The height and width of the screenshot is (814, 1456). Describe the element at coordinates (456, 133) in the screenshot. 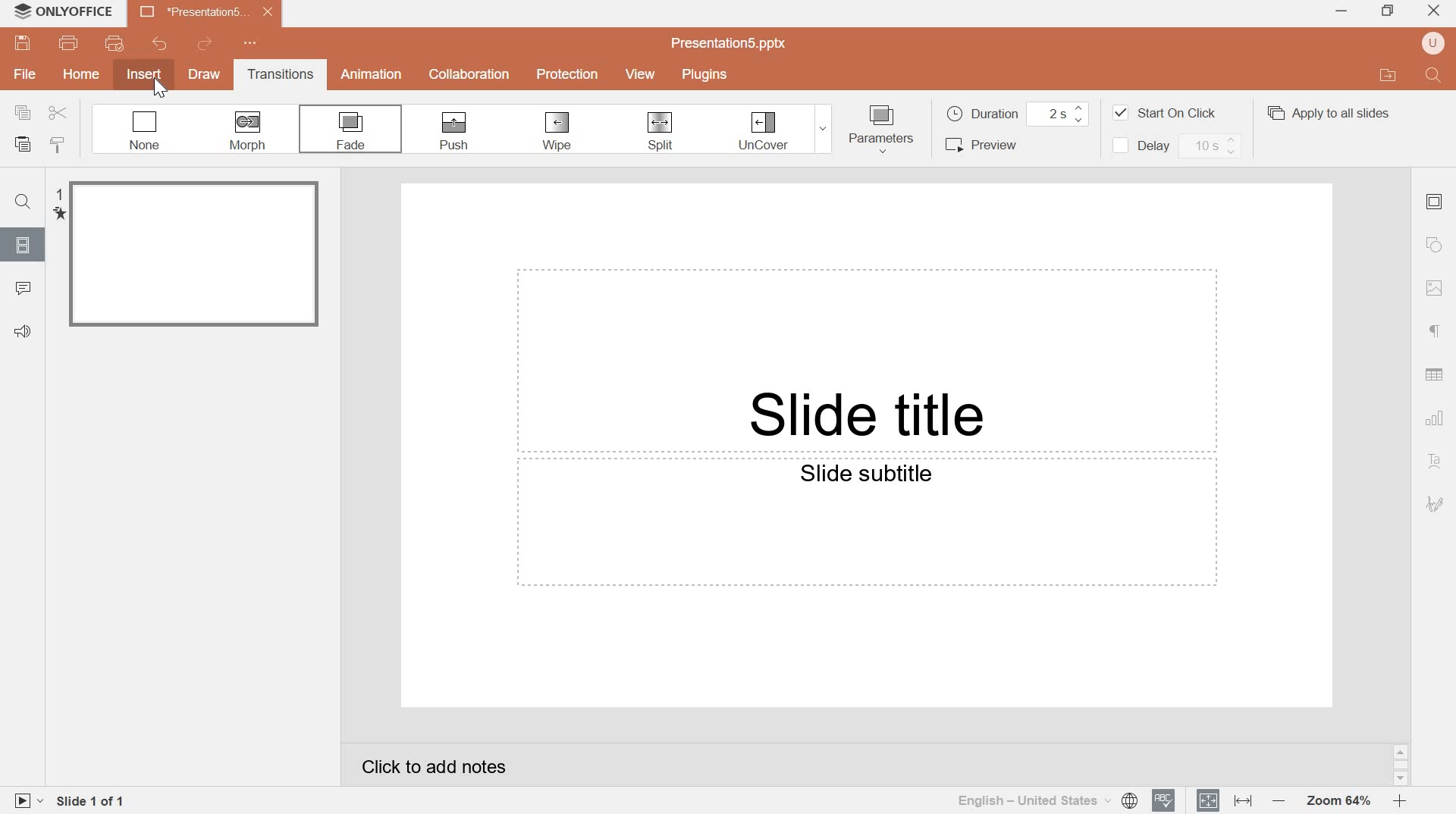

I see `Push` at that location.